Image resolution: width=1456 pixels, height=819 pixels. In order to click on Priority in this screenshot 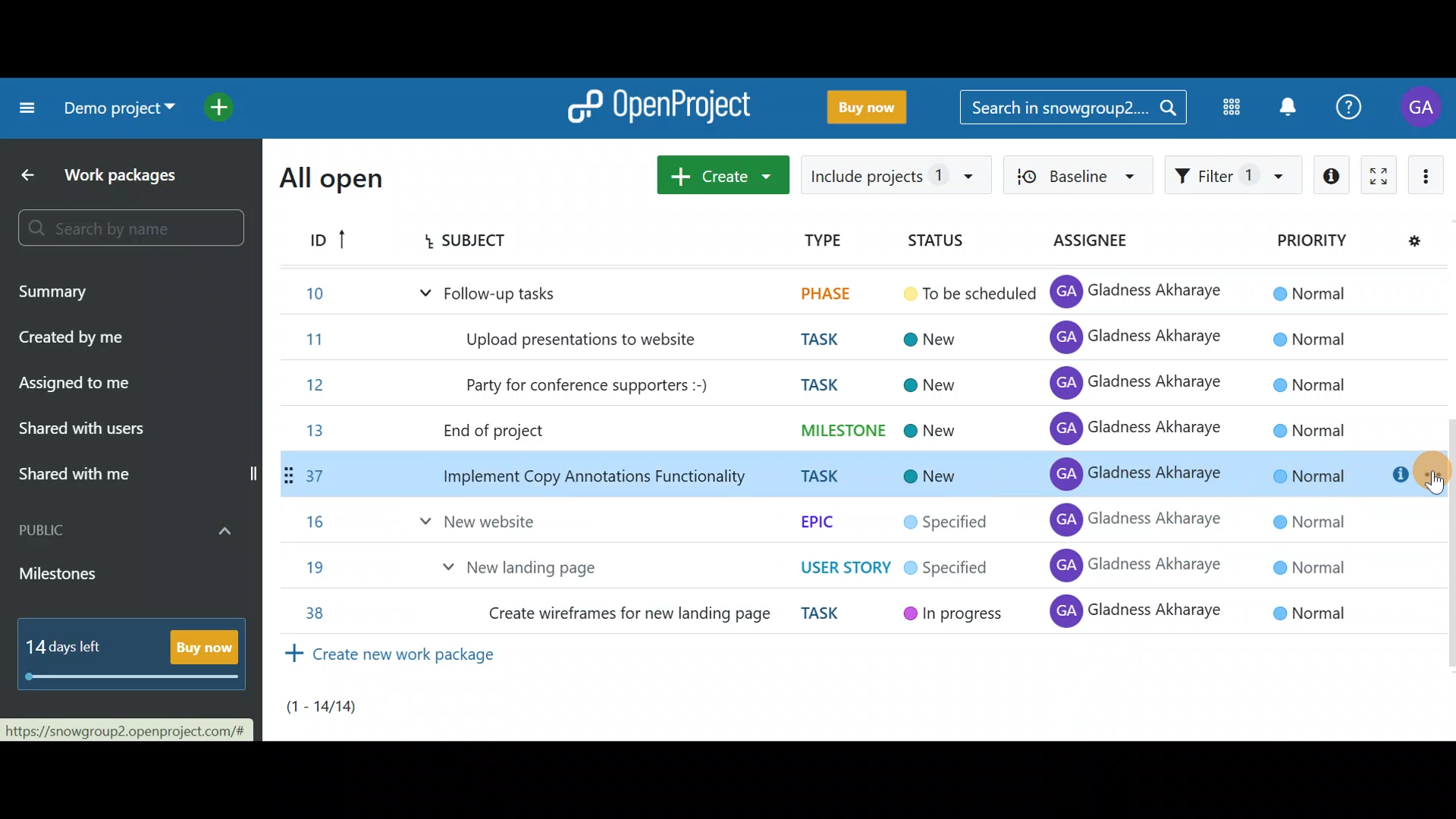, I will do `click(1297, 237)`.